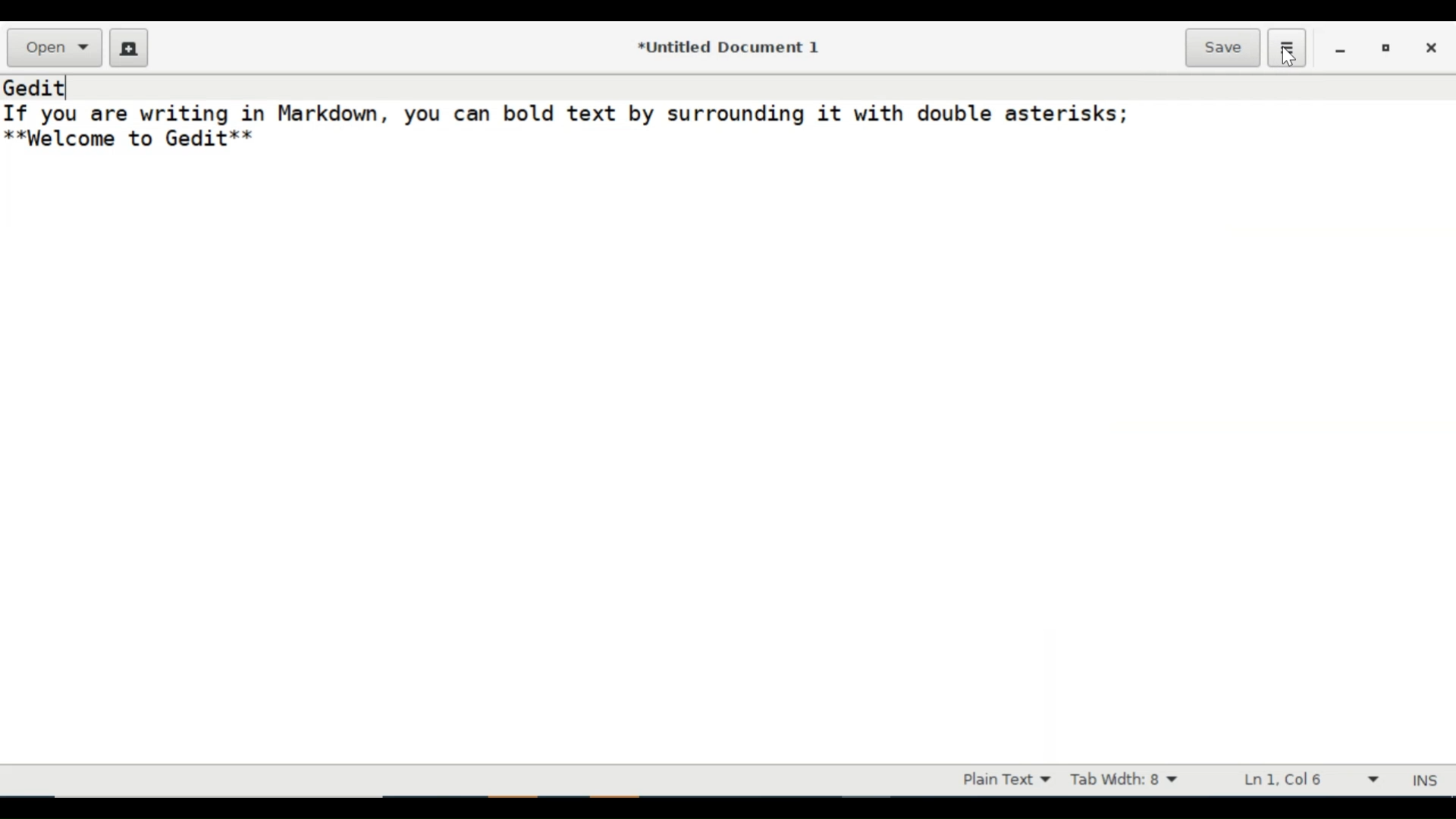 The image size is (1456, 819). I want to click on *Untitled Document 1, so click(730, 47).